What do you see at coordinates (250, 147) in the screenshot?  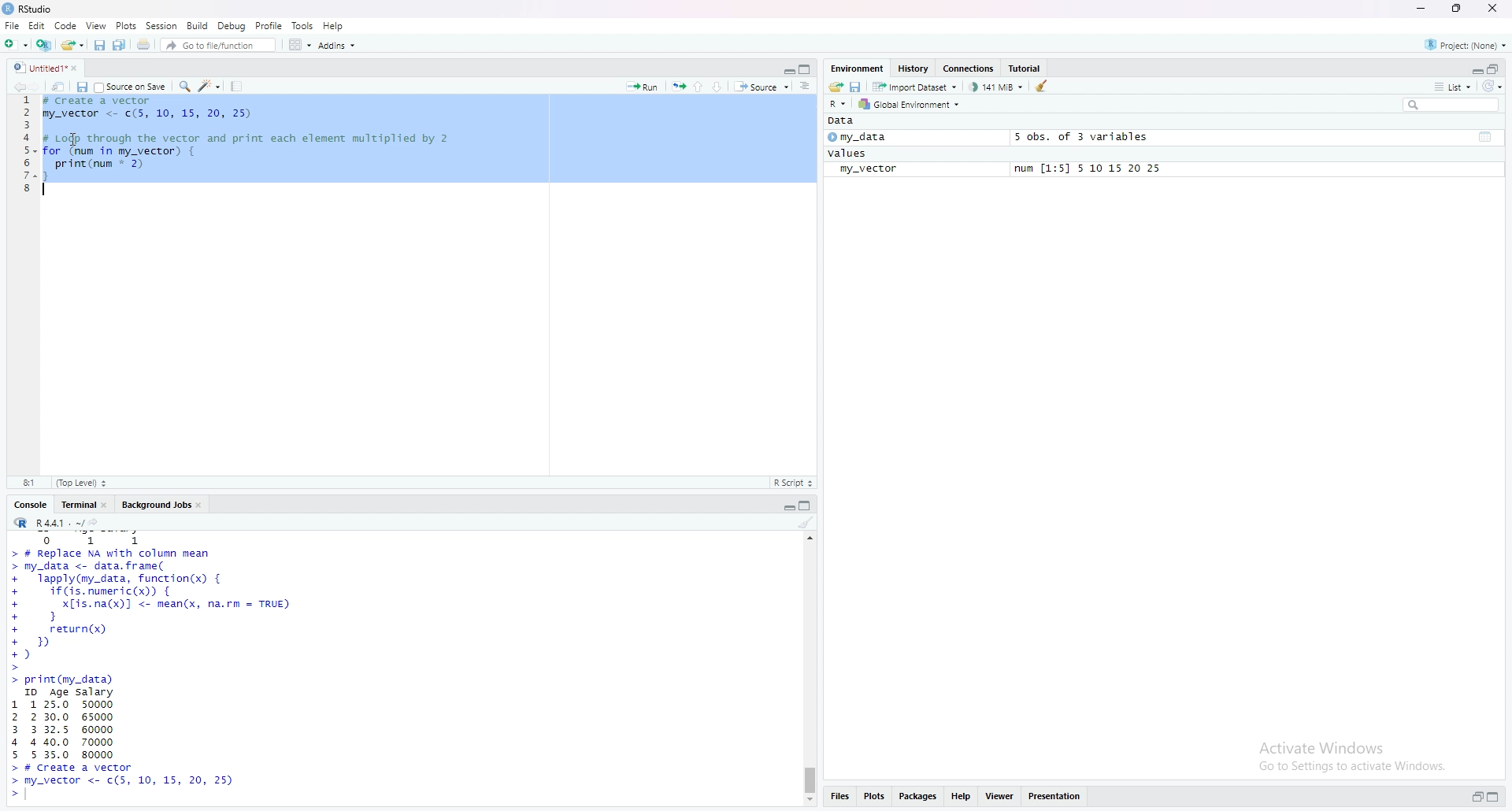 I see `data frame code` at bounding box center [250, 147].